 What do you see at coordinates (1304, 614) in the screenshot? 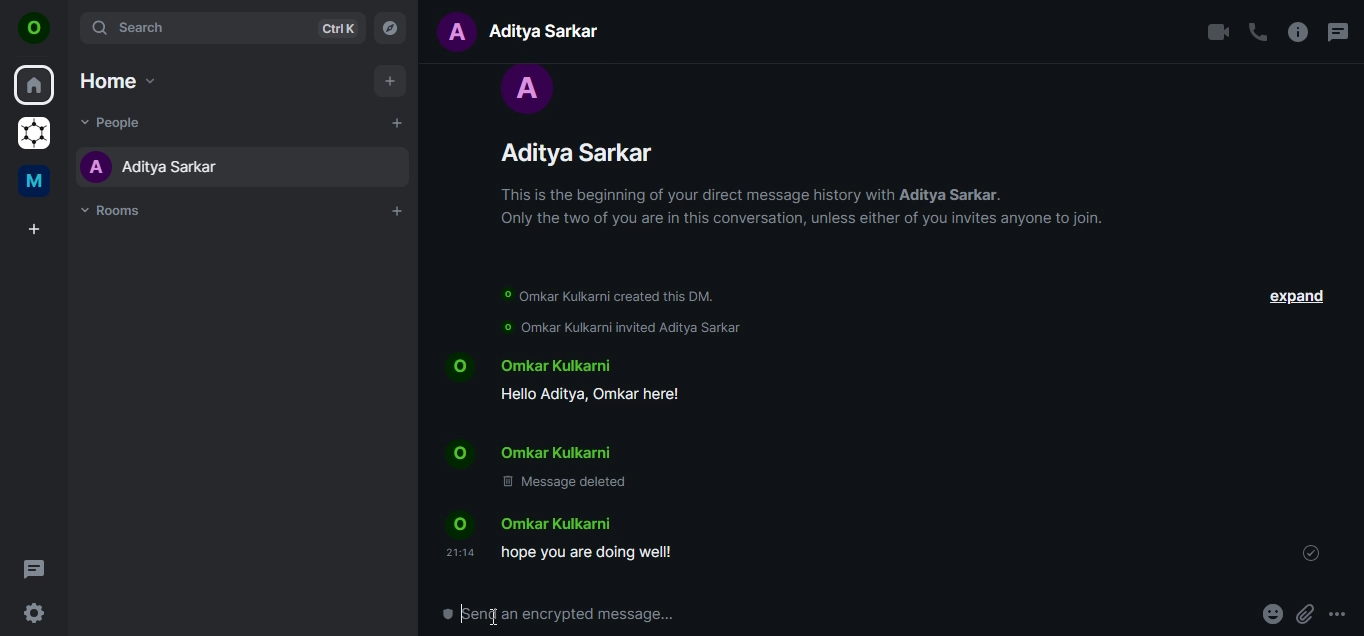
I see `attachment` at bounding box center [1304, 614].